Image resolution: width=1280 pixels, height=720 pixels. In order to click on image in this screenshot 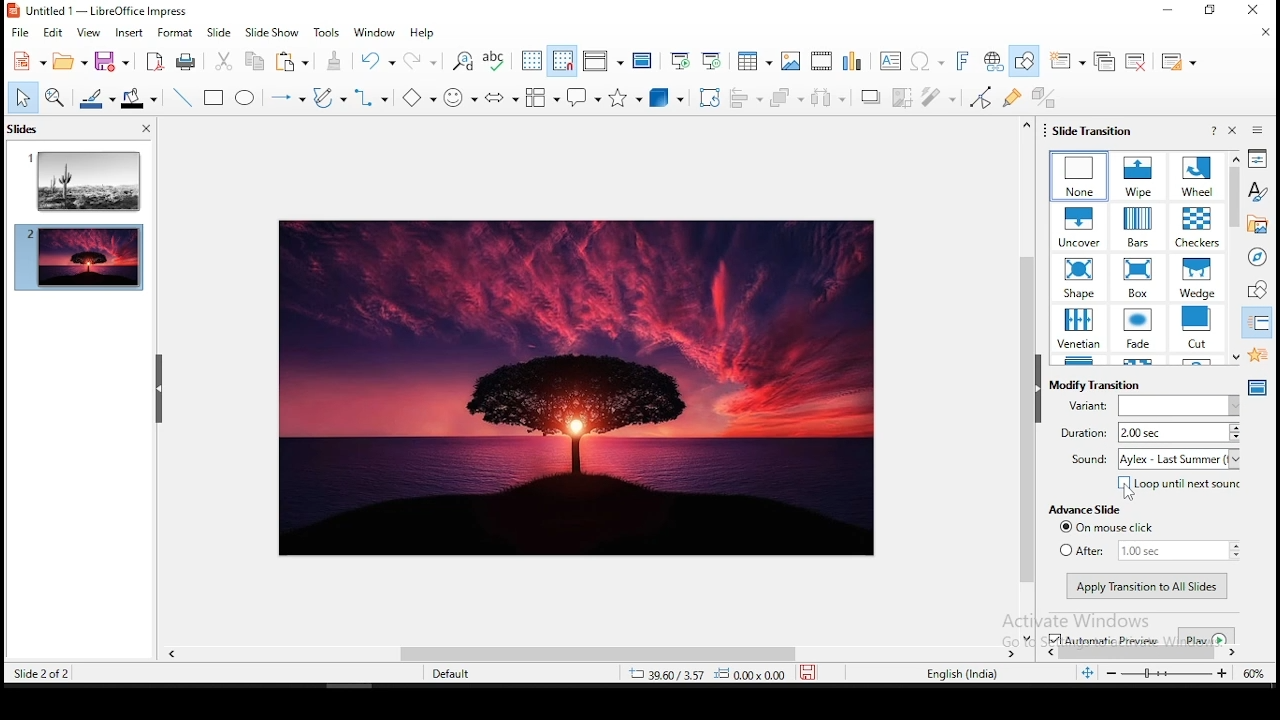, I will do `click(578, 387)`.